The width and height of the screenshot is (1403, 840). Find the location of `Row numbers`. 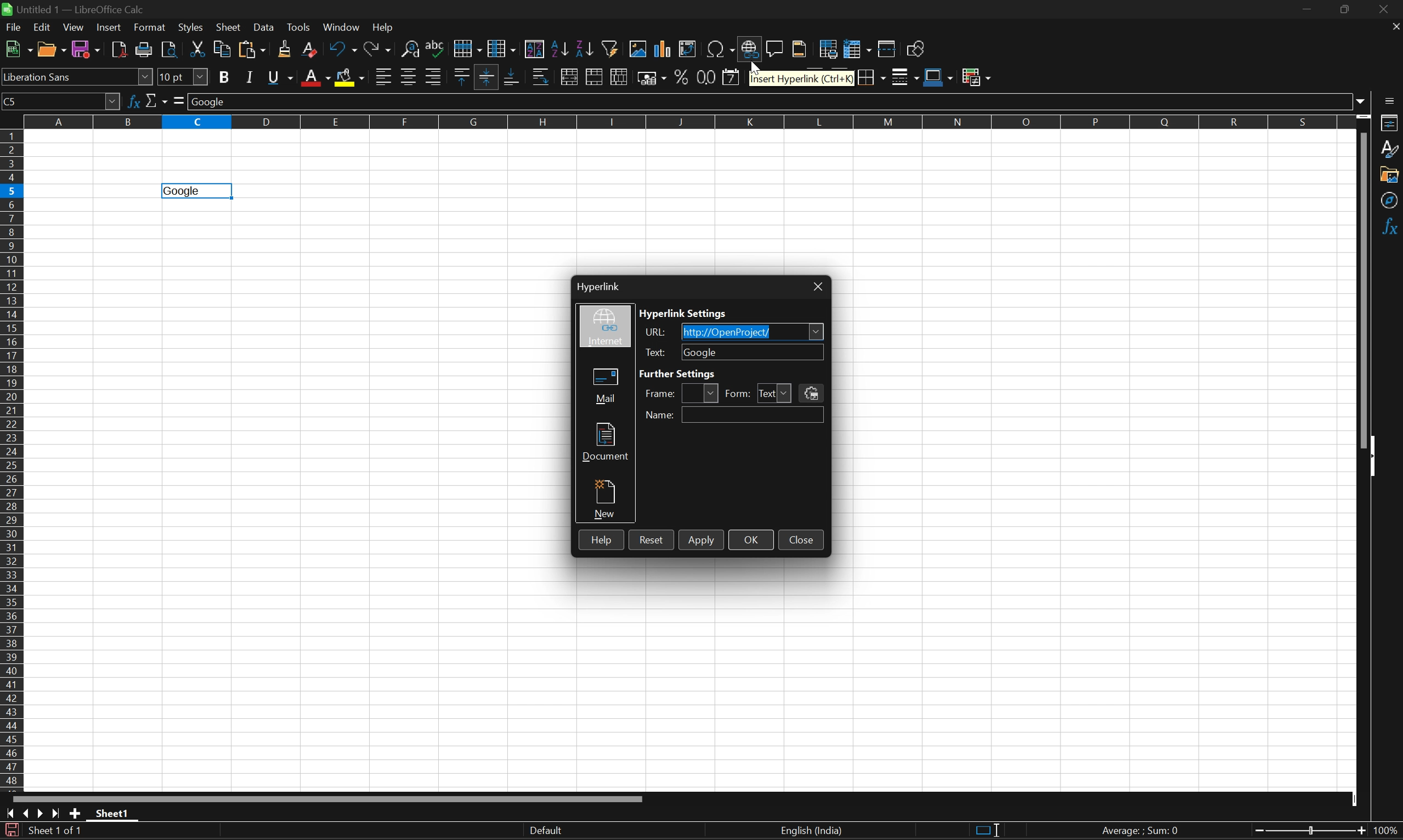

Row numbers is located at coordinates (13, 462).